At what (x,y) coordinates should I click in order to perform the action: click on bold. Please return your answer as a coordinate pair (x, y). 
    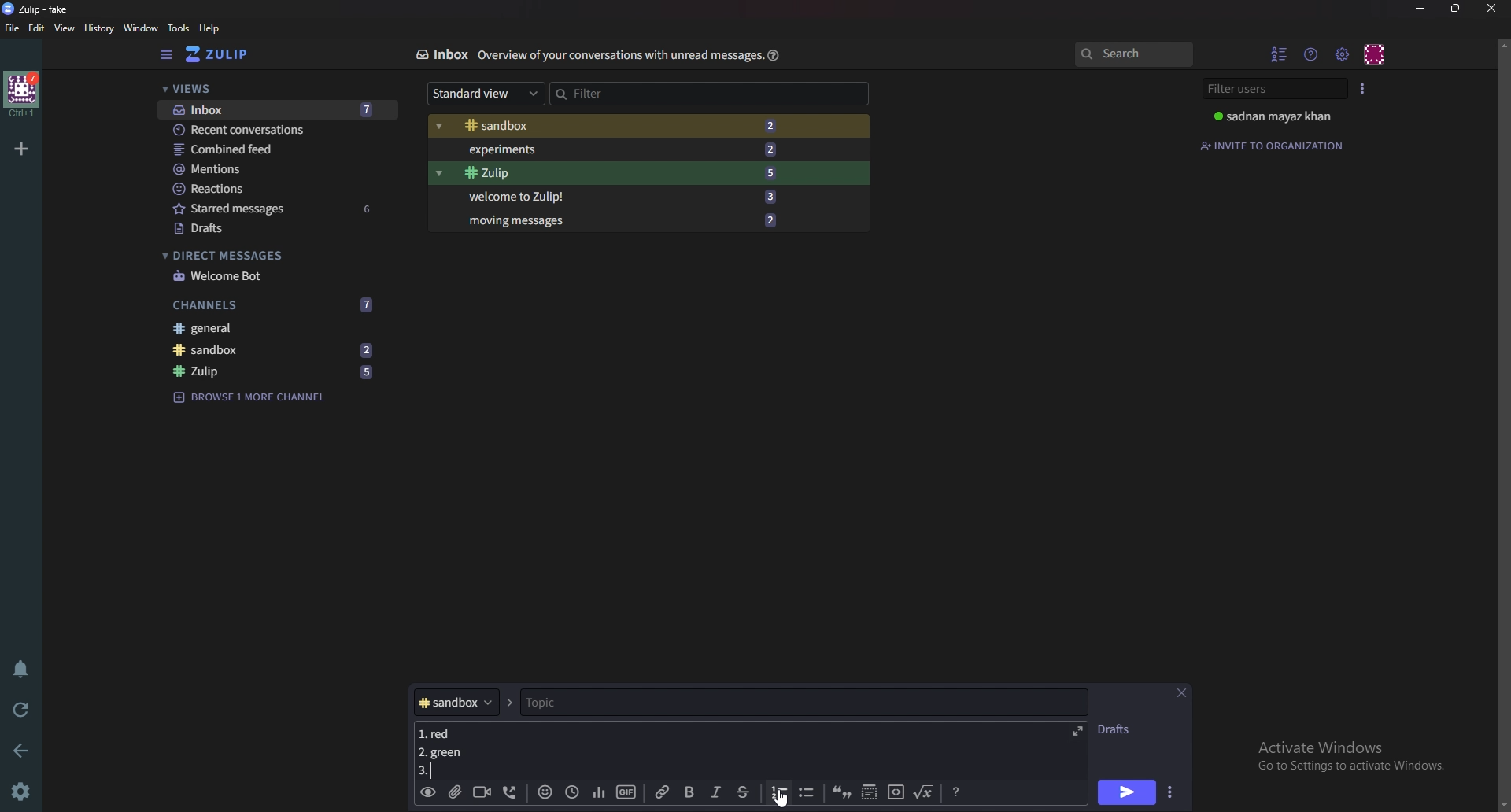
    Looking at the image, I should click on (688, 792).